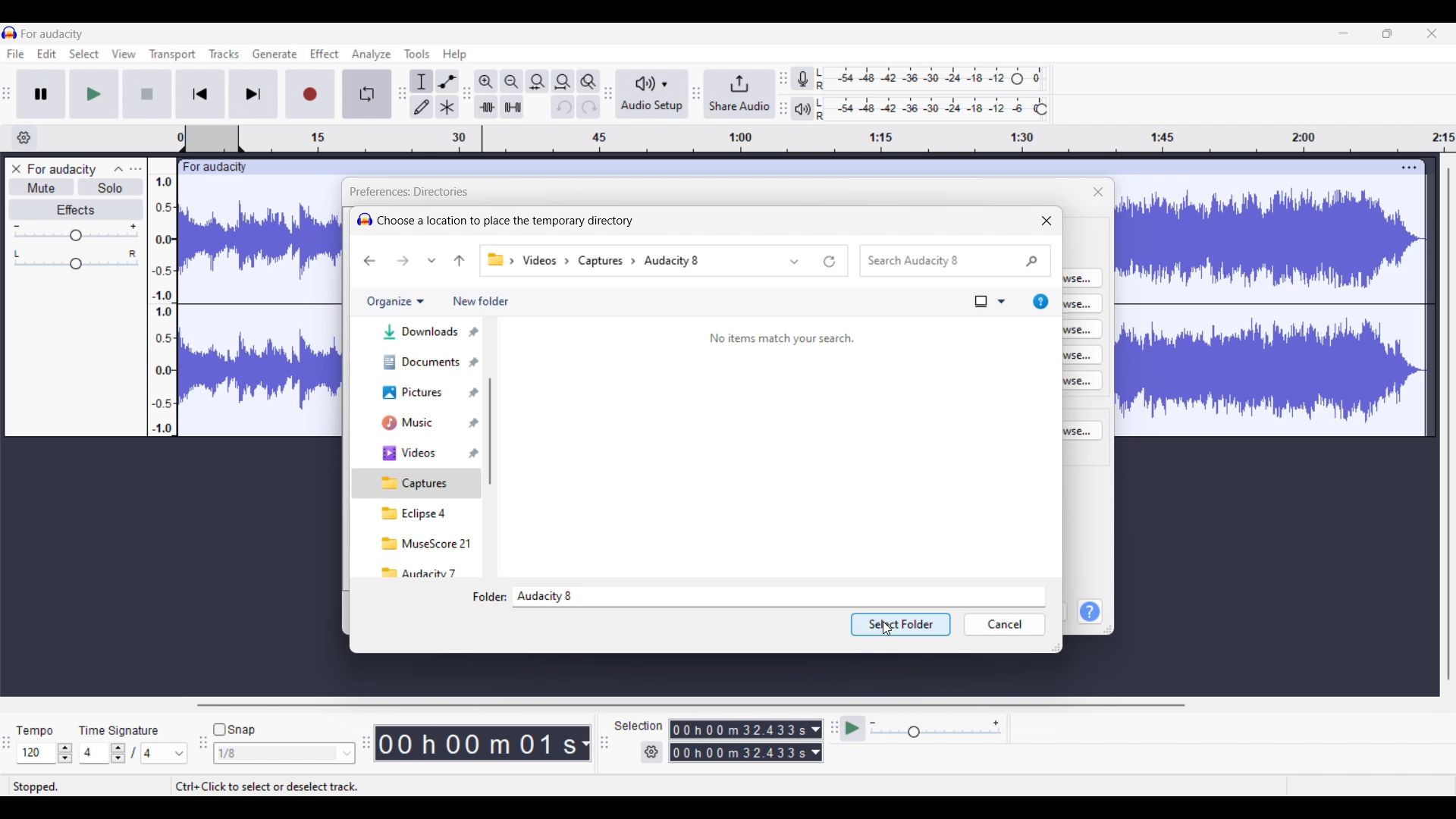 The width and height of the screenshot is (1456, 819). I want to click on Effects, so click(77, 209).